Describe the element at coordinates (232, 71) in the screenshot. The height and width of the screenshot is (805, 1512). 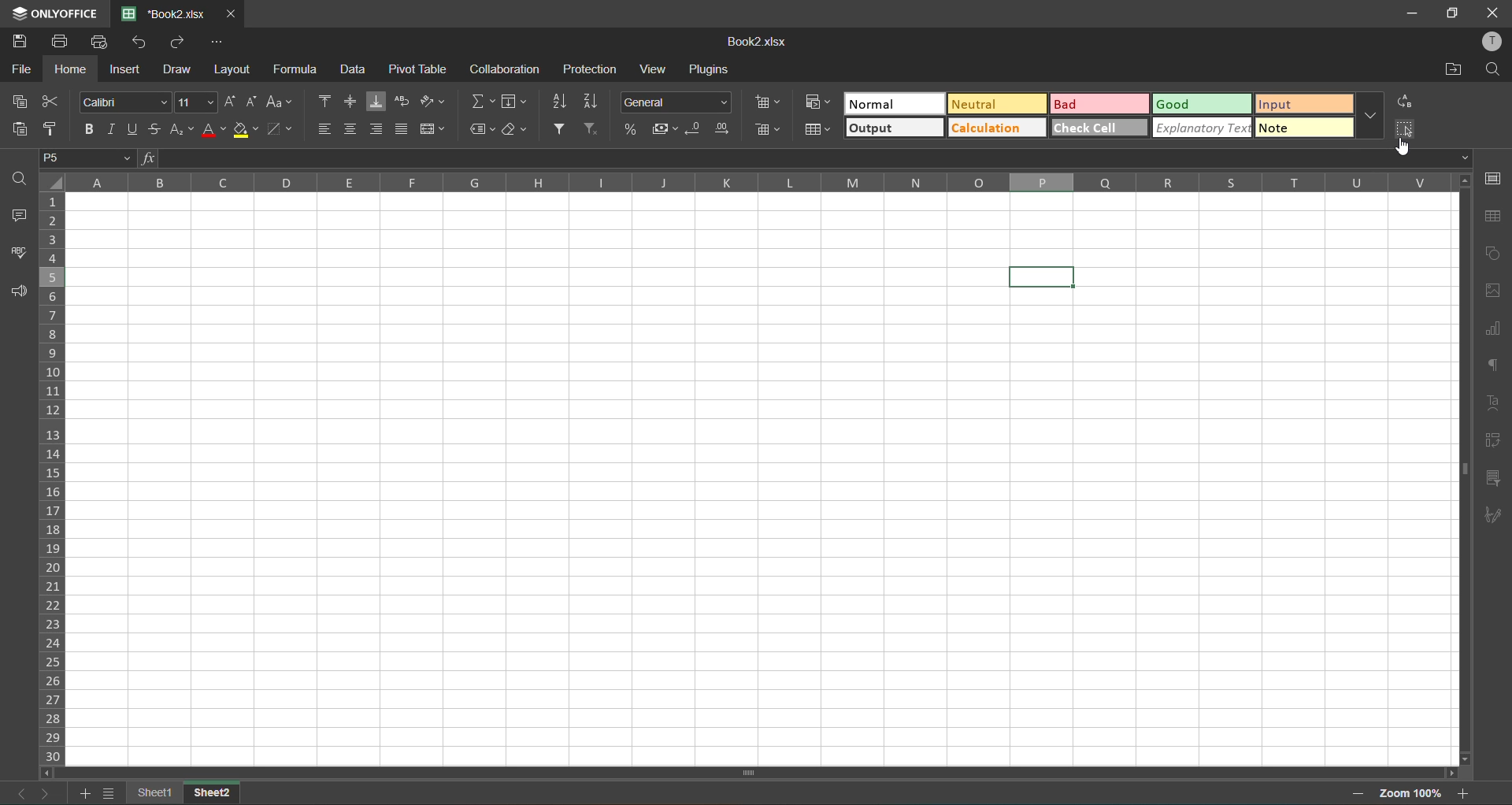
I see `layout` at that location.